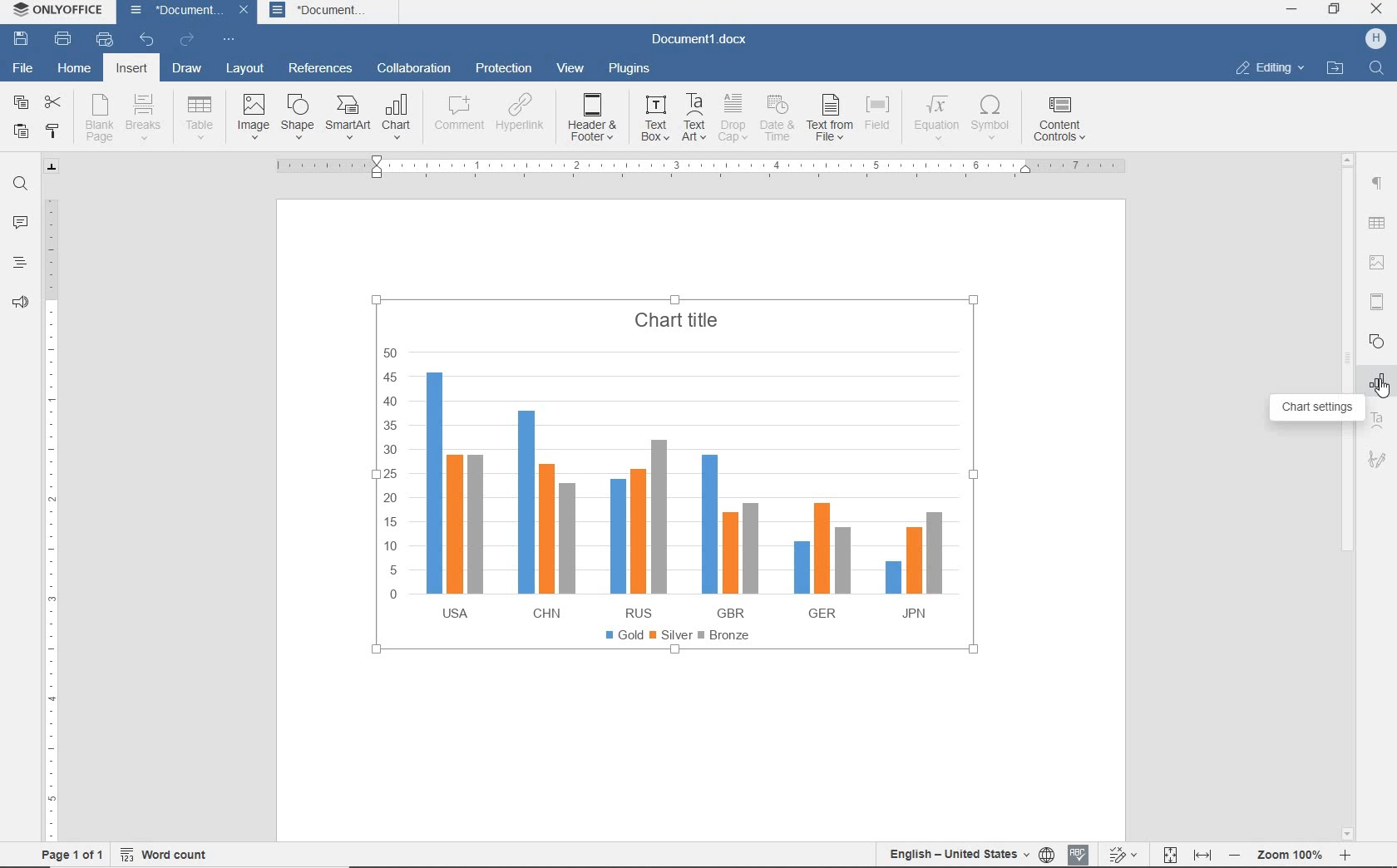 This screenshot has height=868, width=1397. Describe the element at coordinates (1293, 852) in the screenshot. I see `zoom 100%` at that location.